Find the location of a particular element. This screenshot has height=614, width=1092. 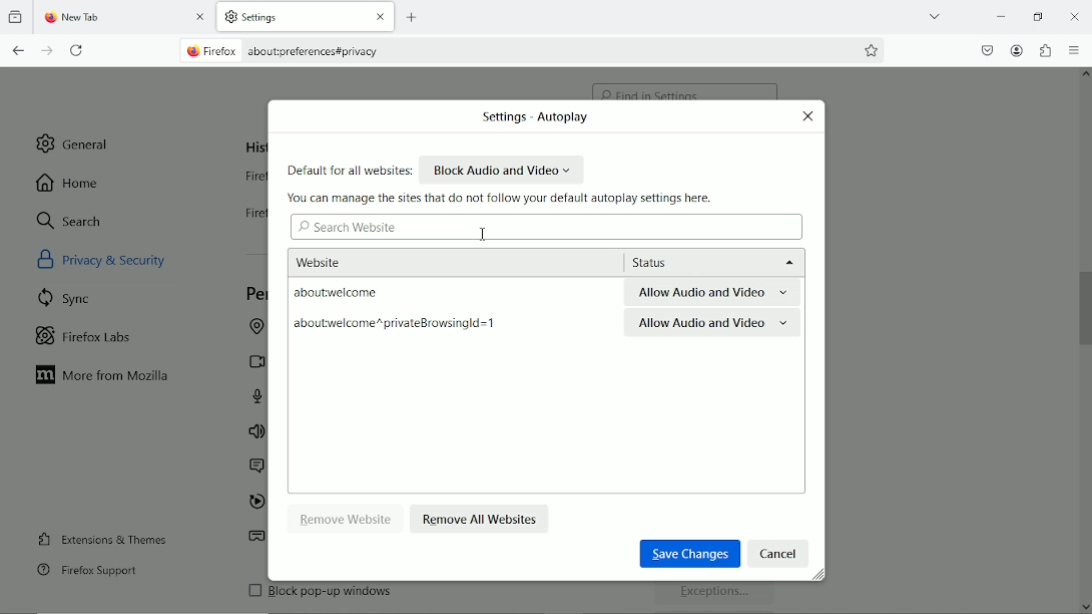

minimize is located at coordinates (1001, 15).